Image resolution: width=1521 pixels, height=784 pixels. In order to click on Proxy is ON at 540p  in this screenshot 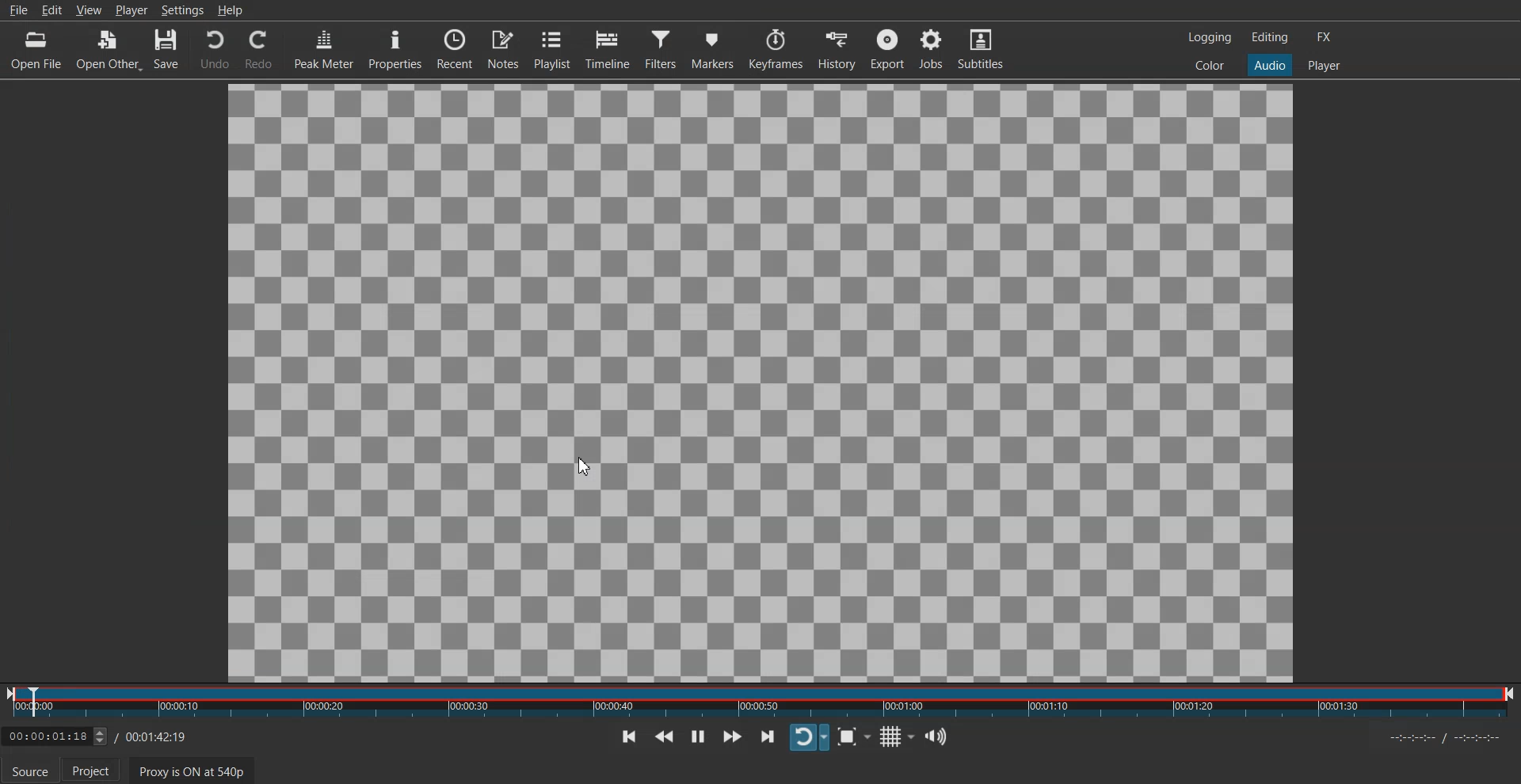, I will do `click(190, 770)`.